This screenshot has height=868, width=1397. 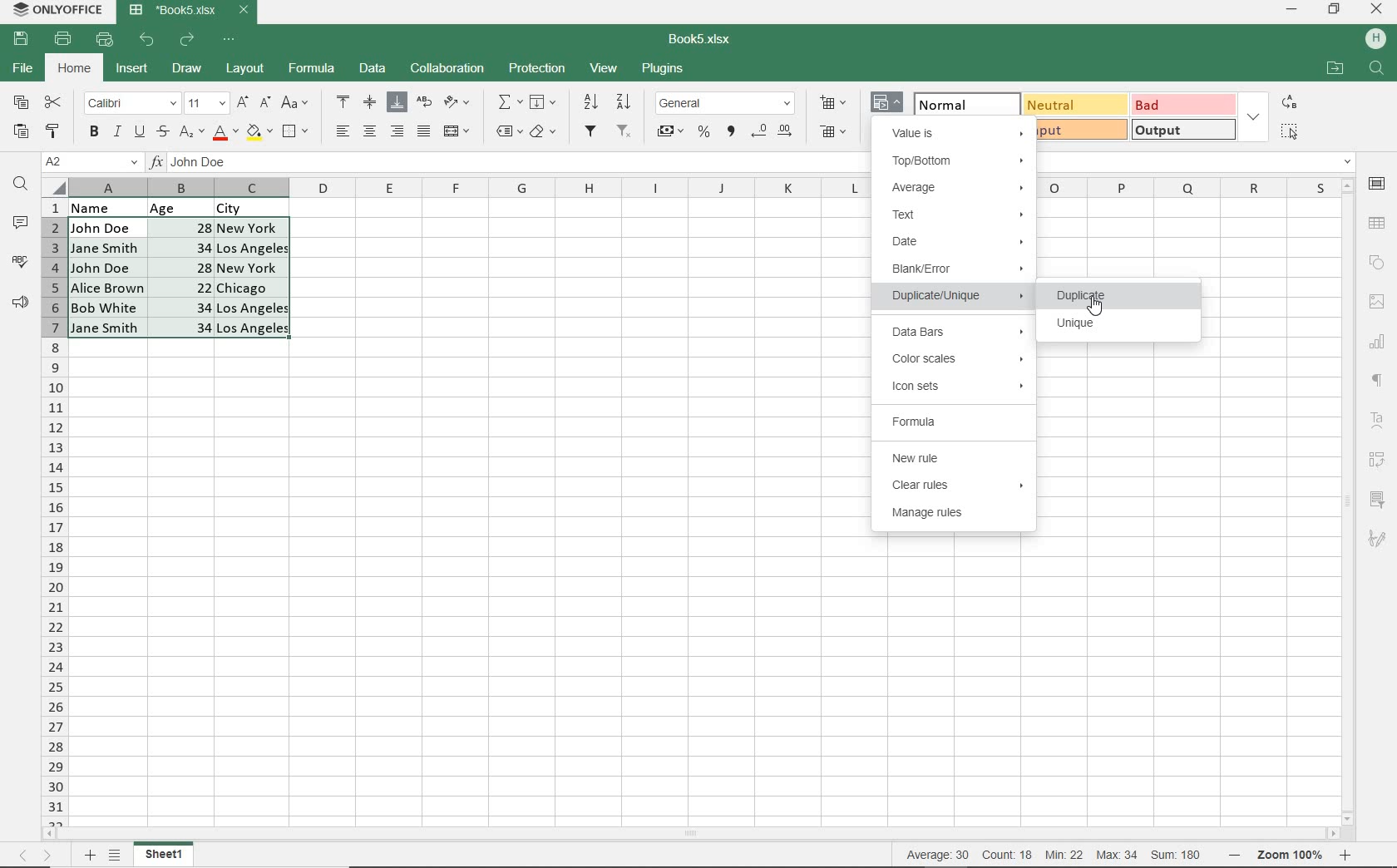 I want to click on NORMAL, so click(x=959, y=102).